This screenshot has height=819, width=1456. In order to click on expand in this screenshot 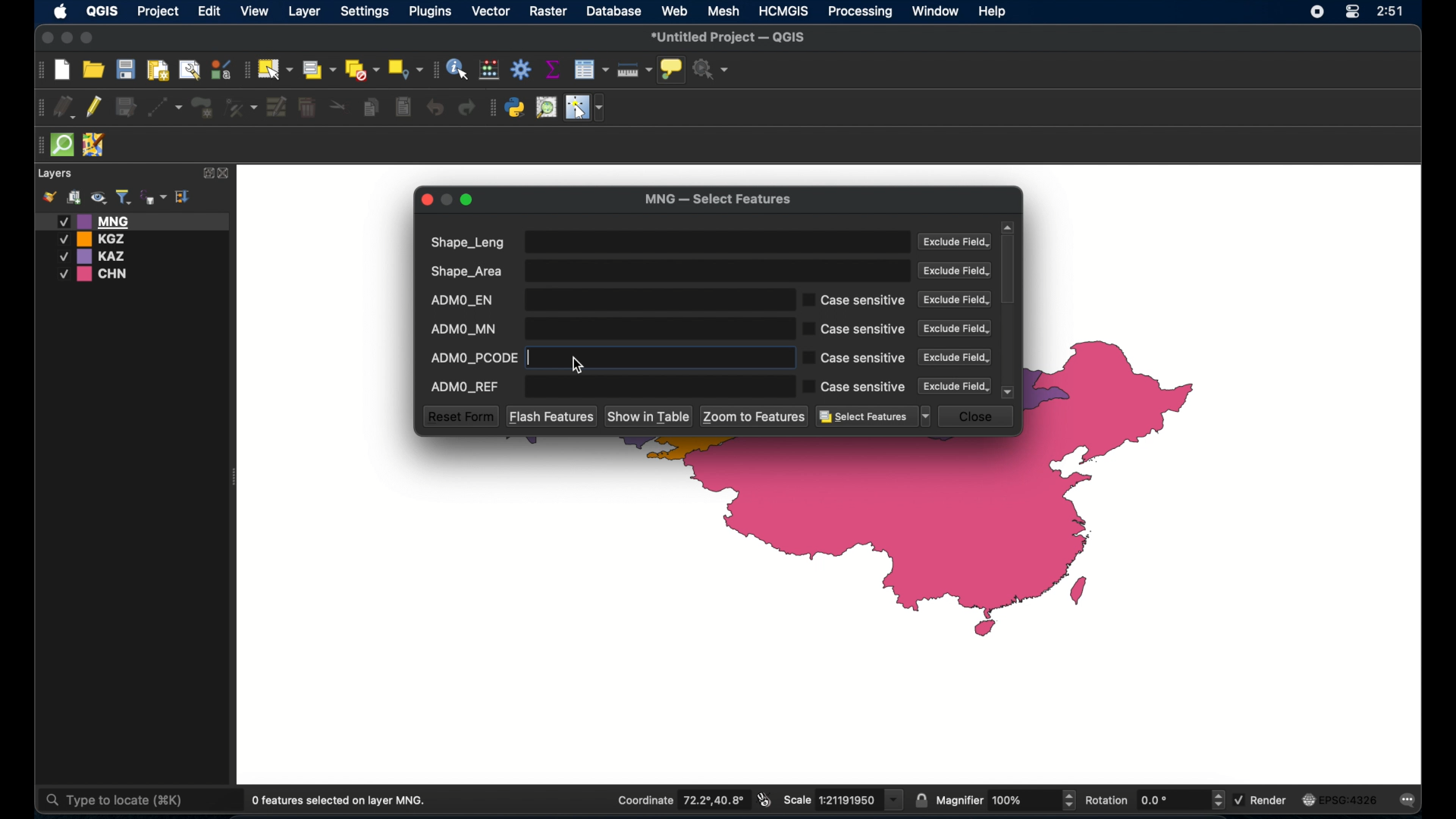, I will do `click(206, 173)`.